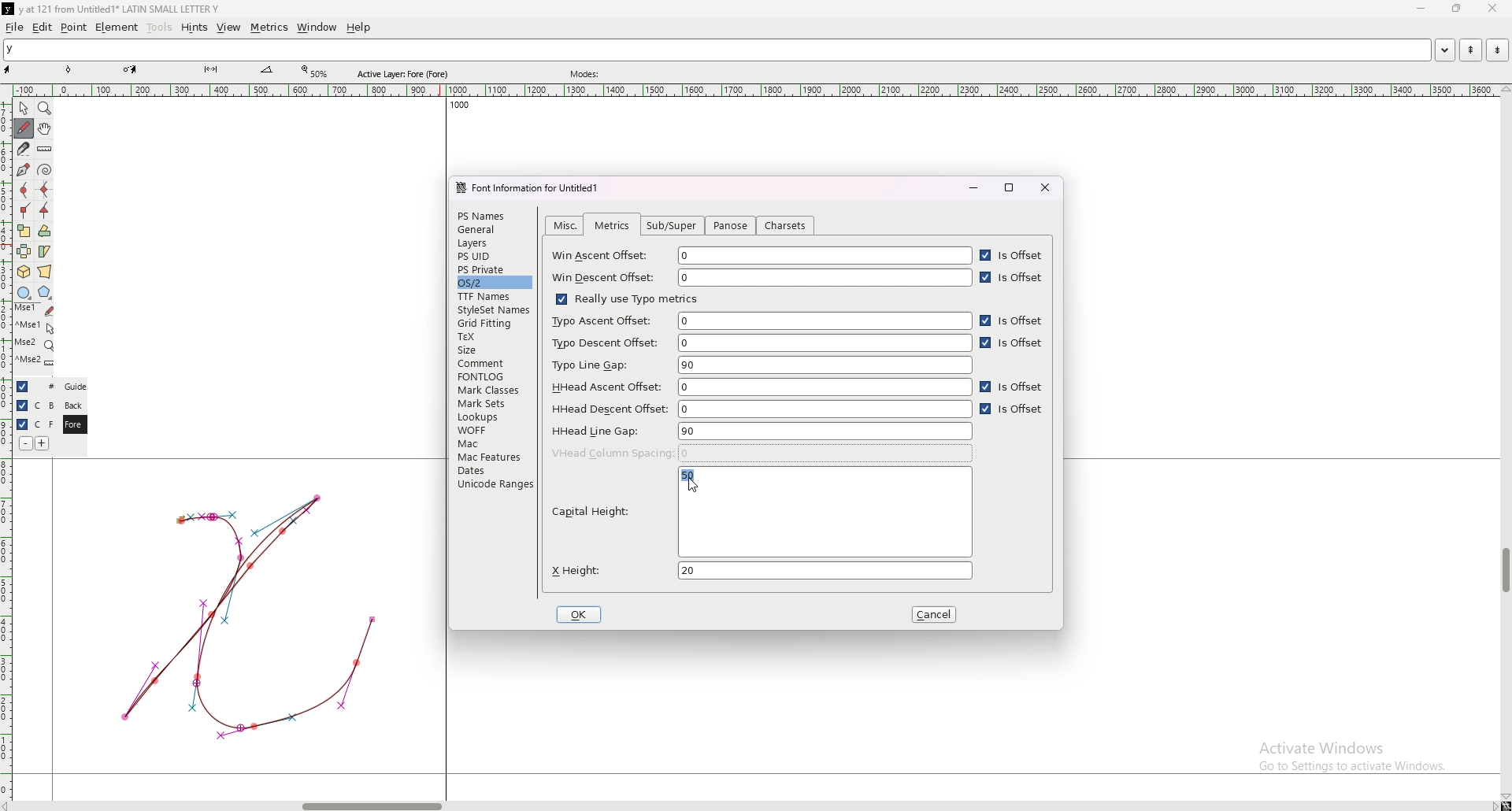  What do you see at coordinates (406, 74) in the screenshot?
I see `active layer` at bounding box center [406, 74].